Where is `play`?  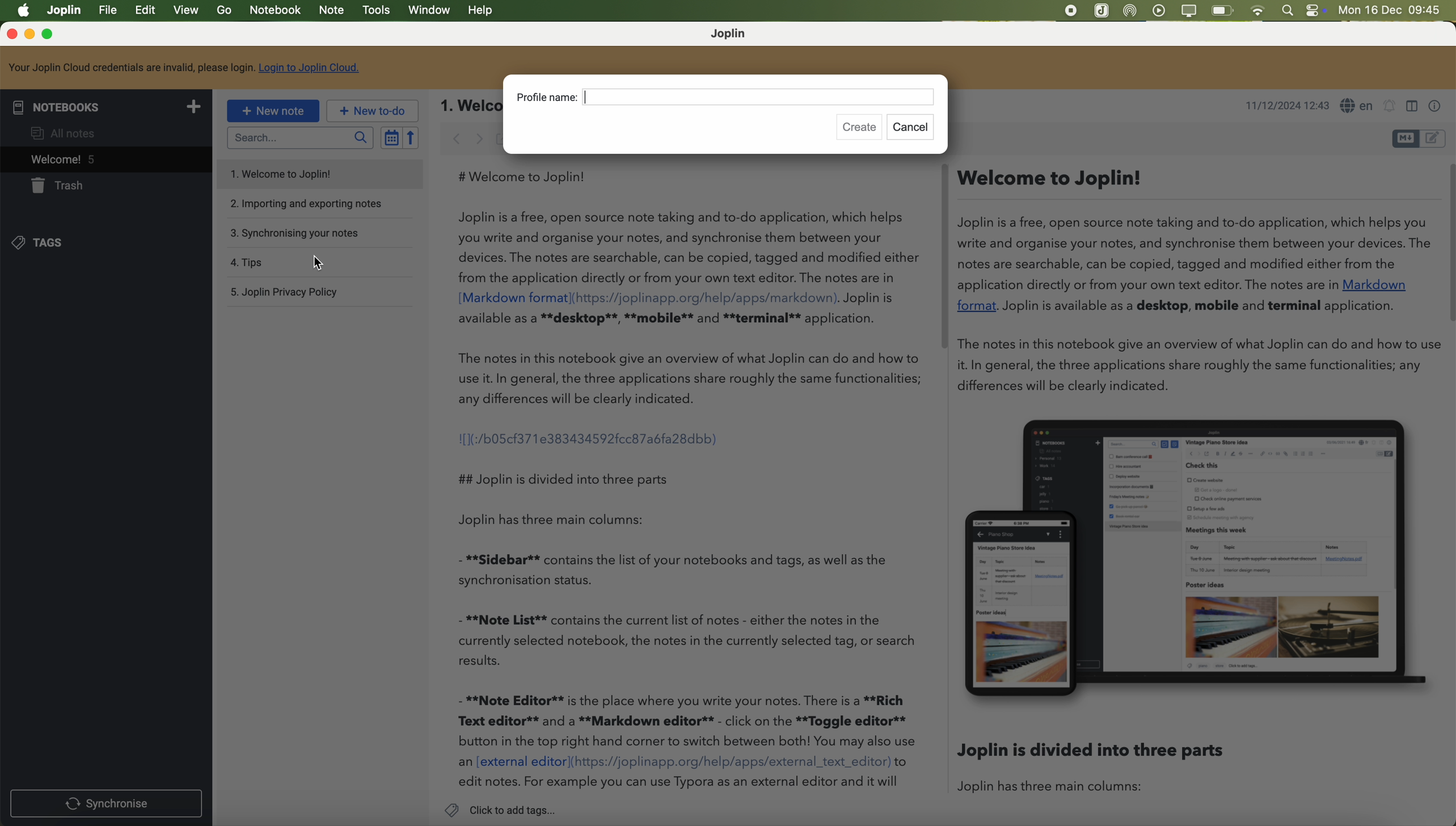 play is located at coordinates (1160, 10).